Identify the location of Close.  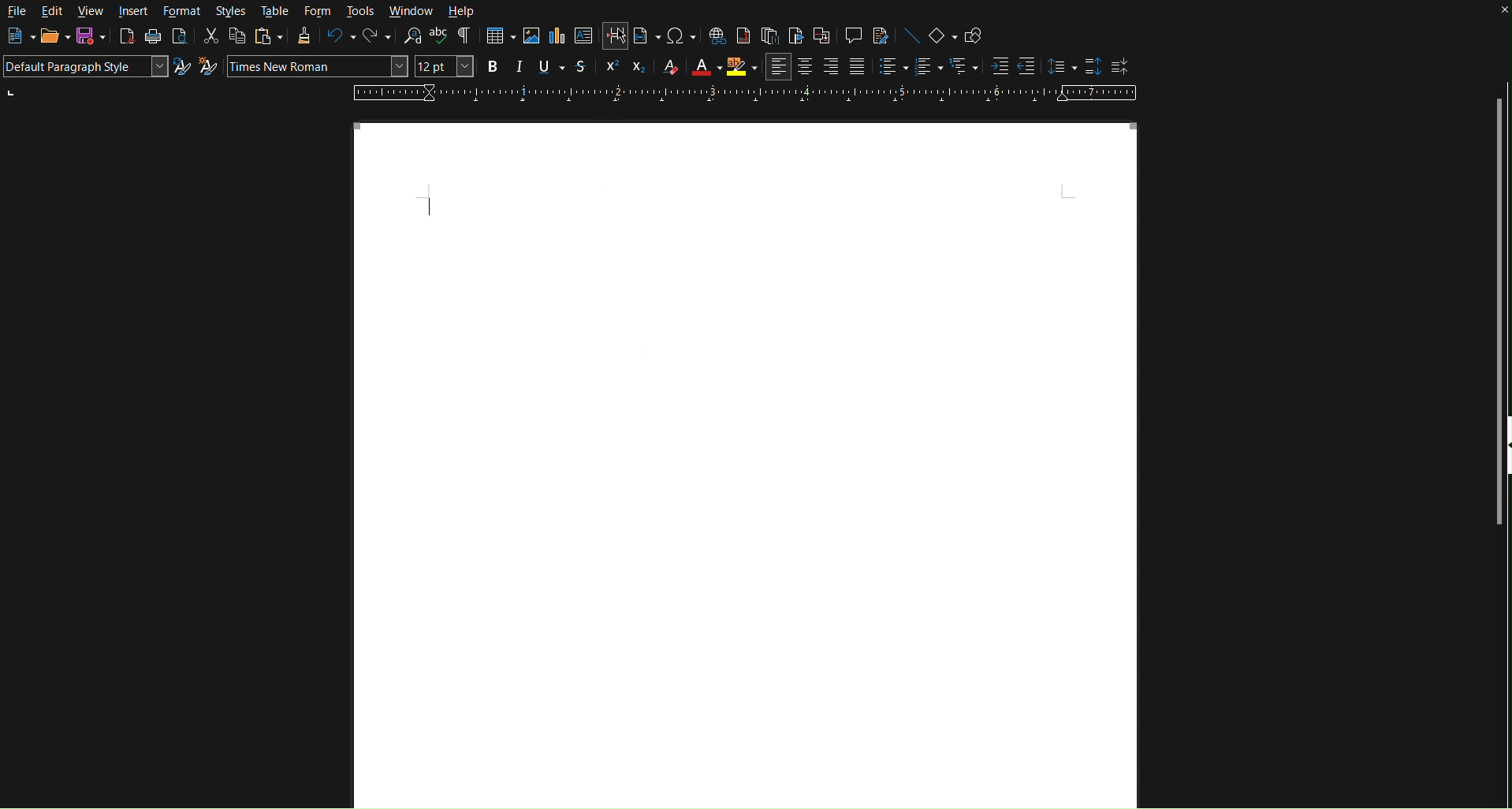
(1498, 13).